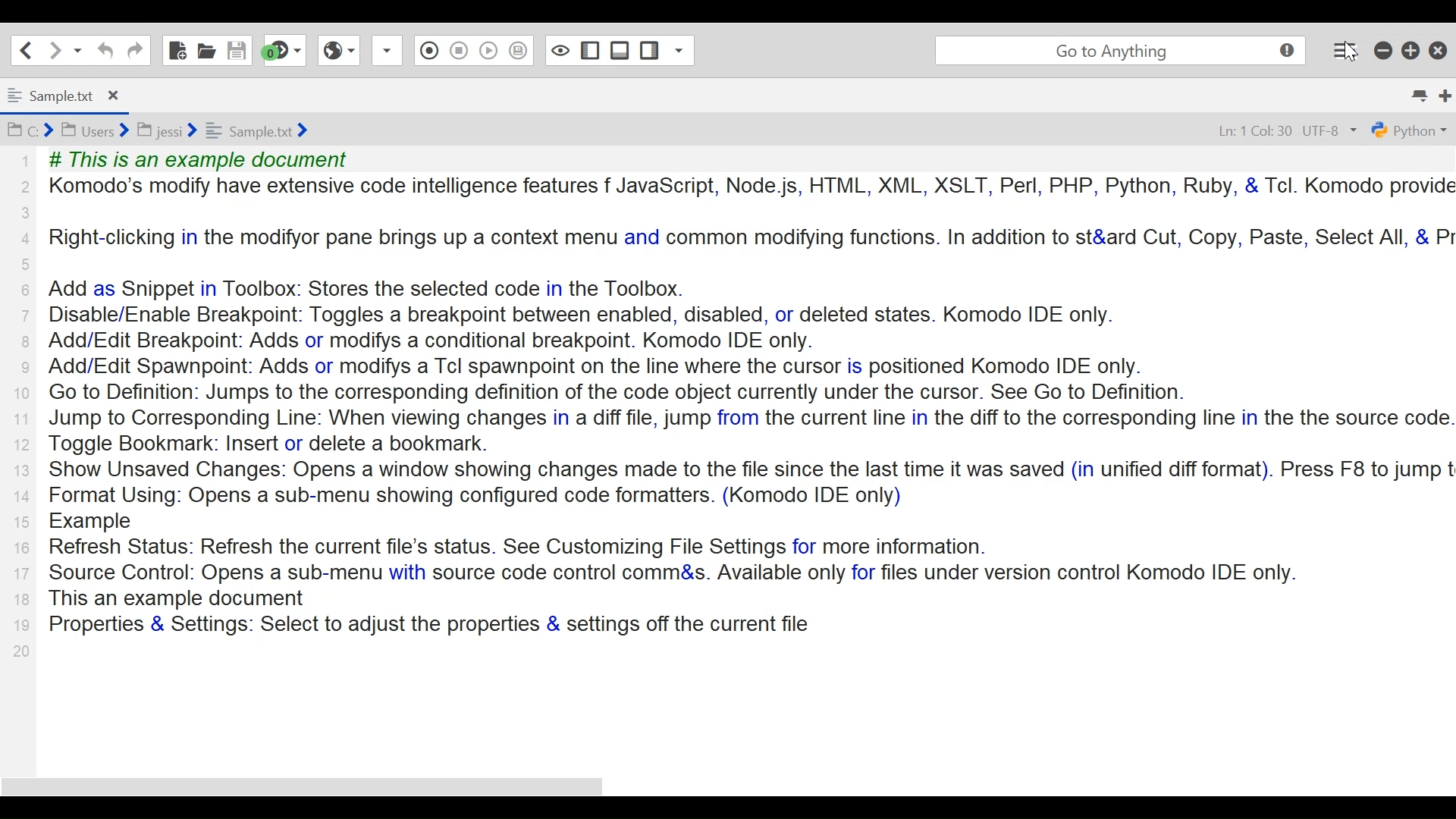 The height and width of the screenshot is (819, 1456). I want to click on Bcd BI users Bjessi ¥ = Sampletxt, so click(184, 131).